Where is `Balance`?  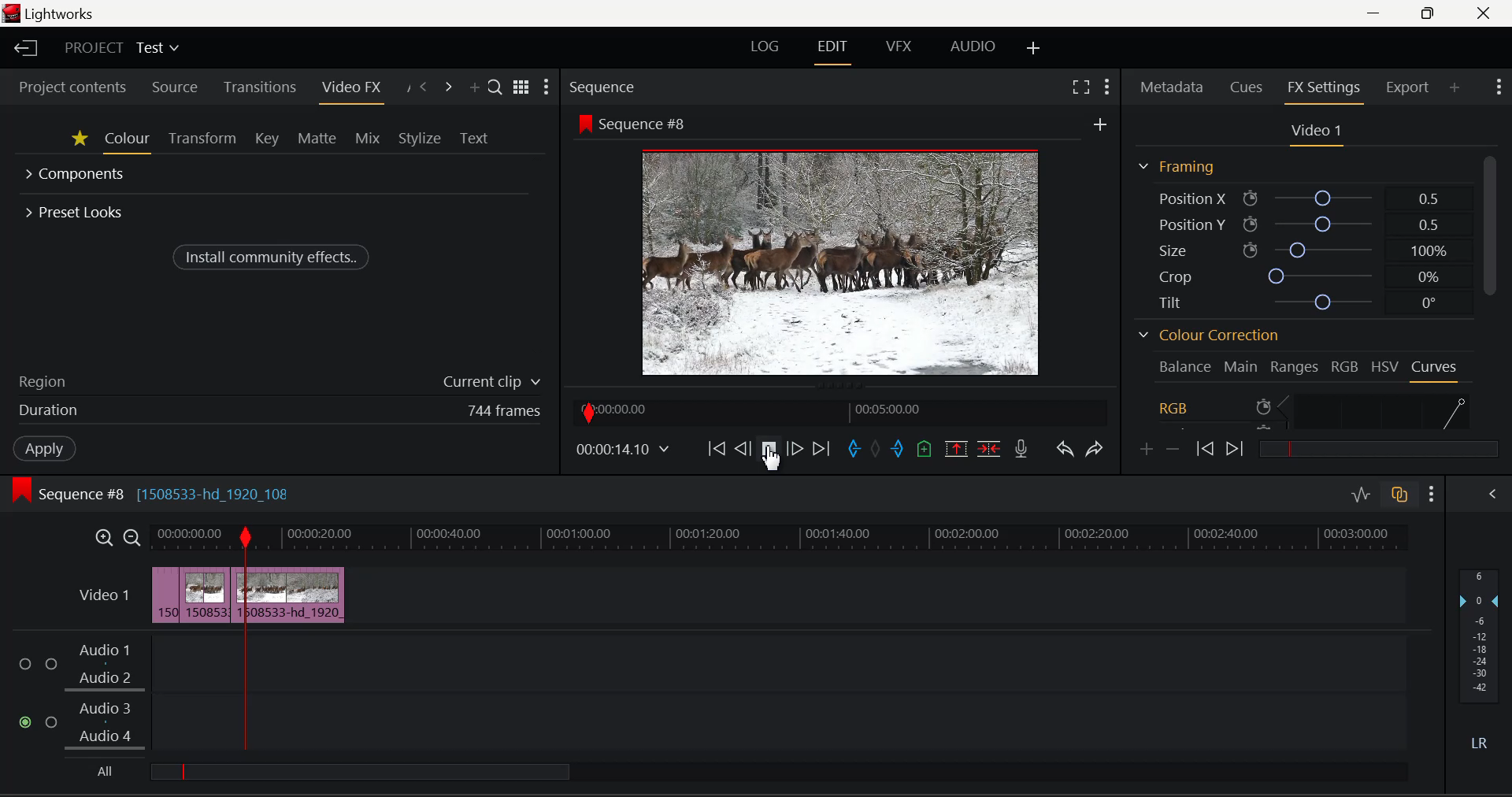 Balance is located at coordinates (1184, 366).